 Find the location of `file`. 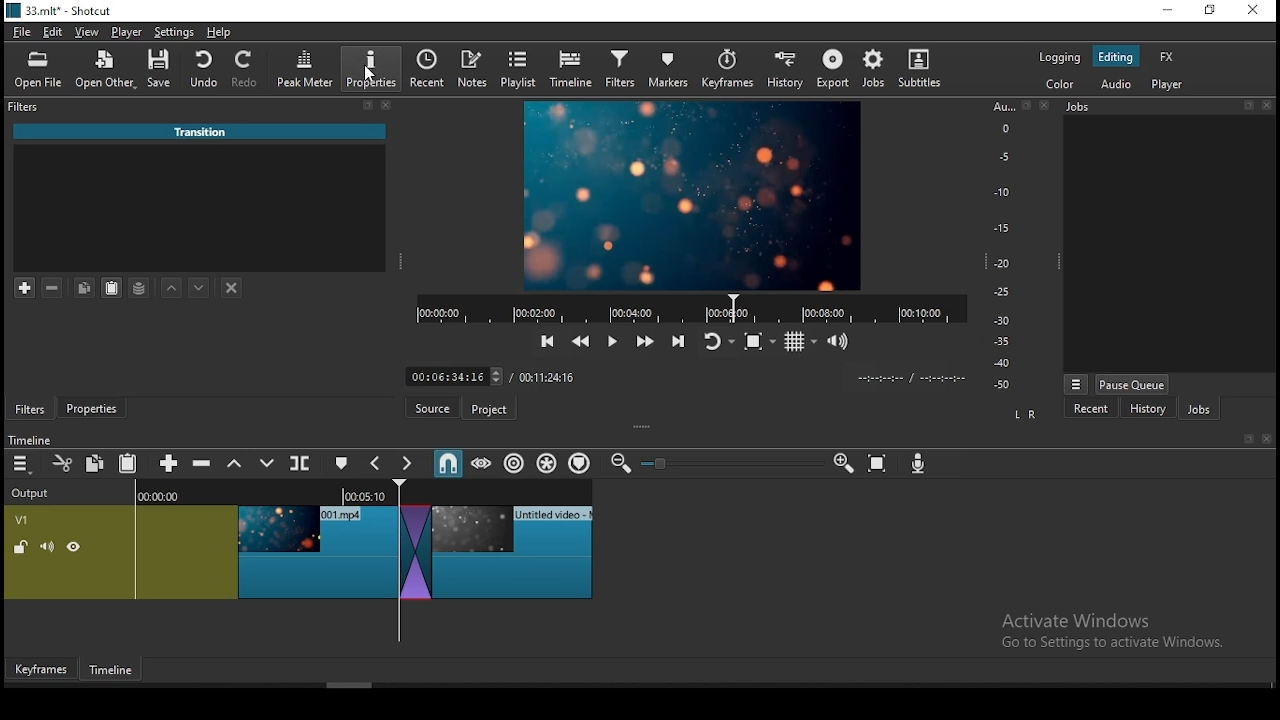

file is located at coordinates (23, 33).